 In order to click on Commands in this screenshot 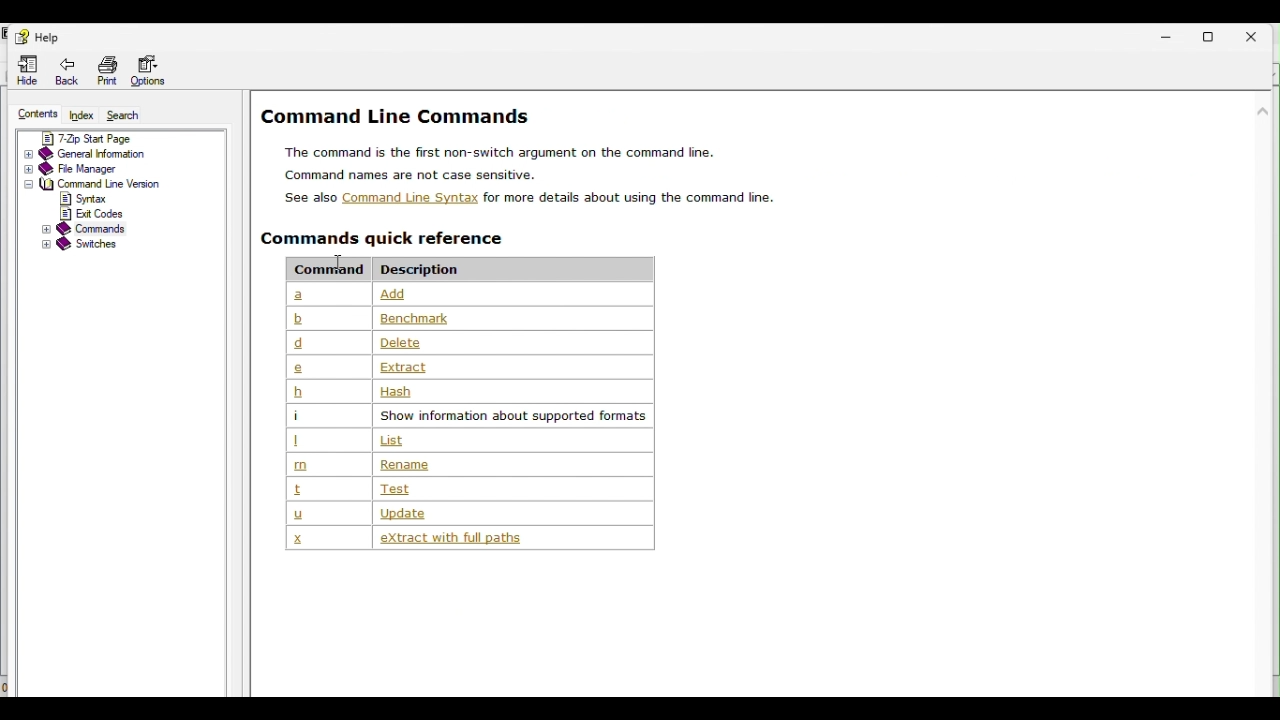, I will do `click(96, 229)`.